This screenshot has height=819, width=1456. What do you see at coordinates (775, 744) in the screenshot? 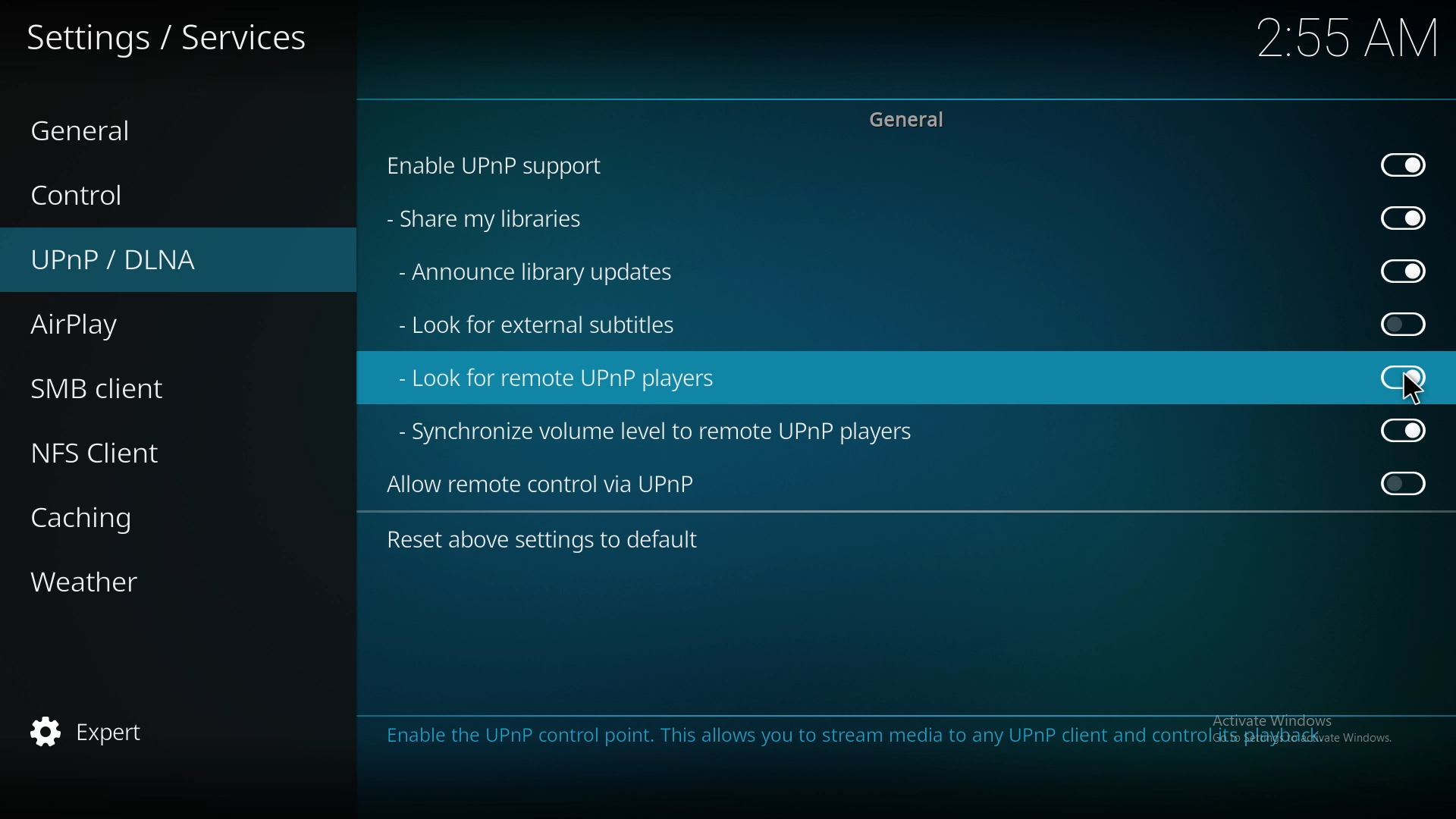
I see `Enable the UPnP control point. This allows you to stream media to any UPnP client and control` at bounding box center [775, 744].